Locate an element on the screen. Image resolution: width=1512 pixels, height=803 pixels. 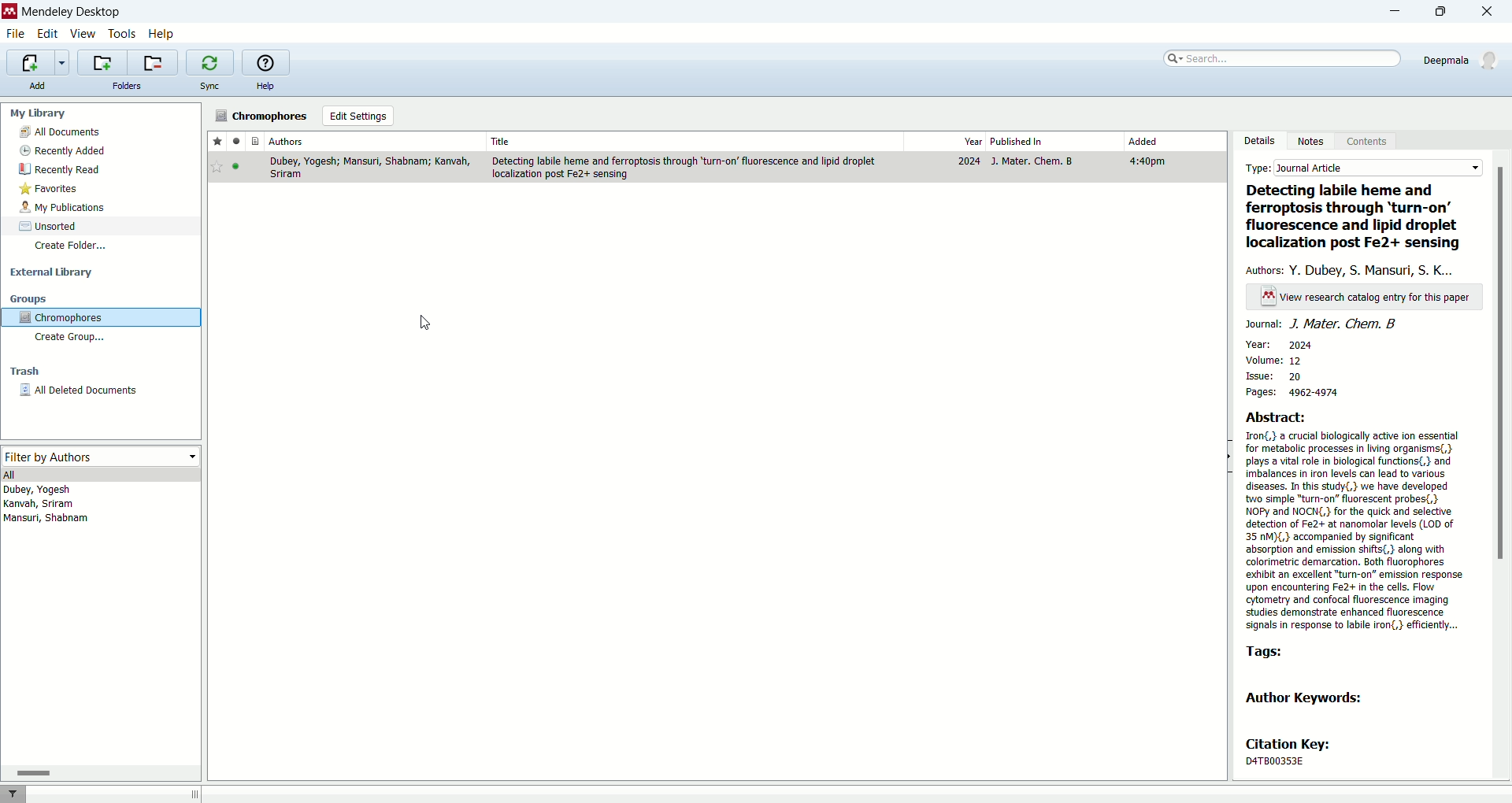
kanvah, sriram is located at coordinates (39, 505).